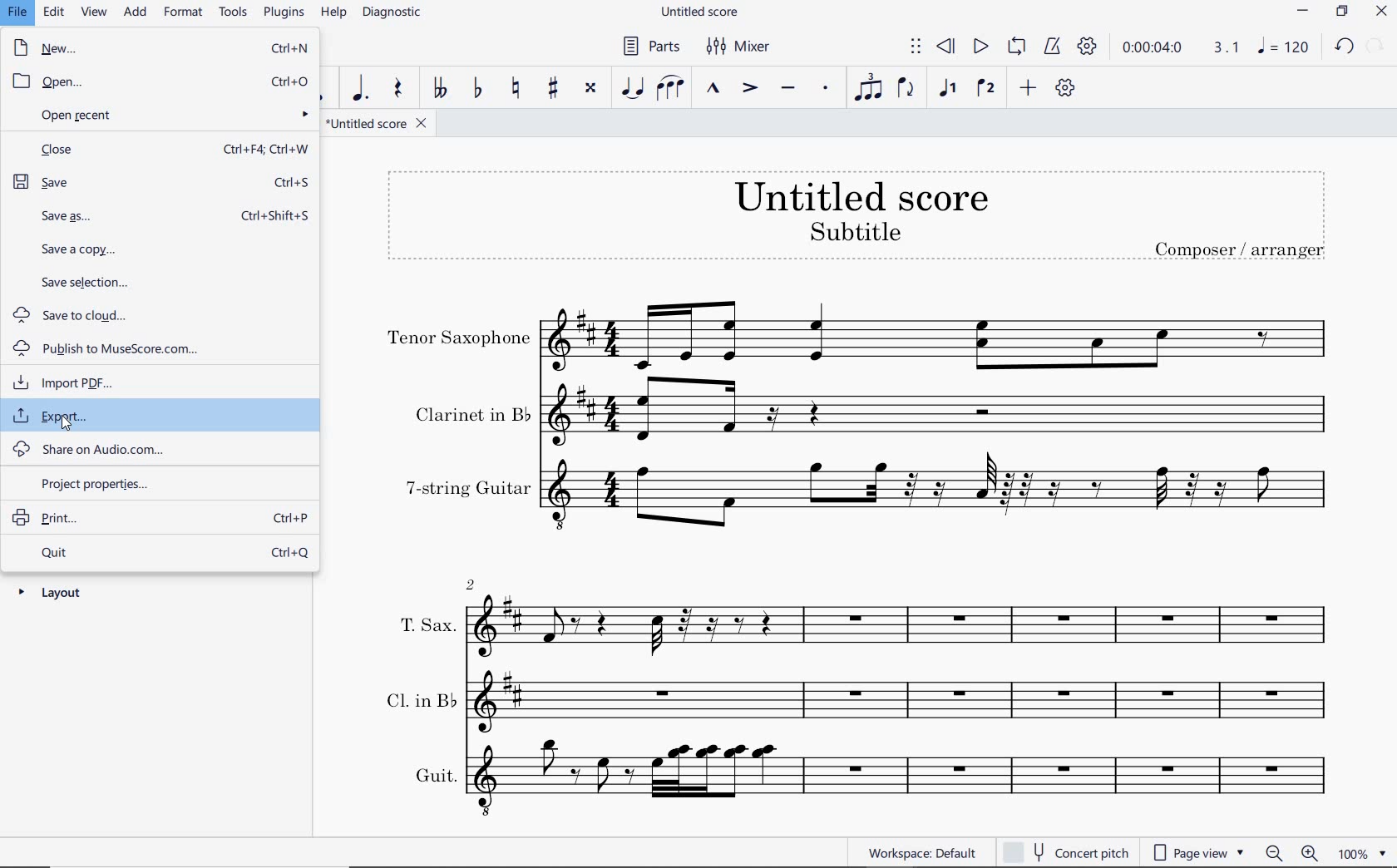 Image resolution: width=1397 pixels, height=868 pixels. What do you see at coordinates (1345, 47) in the screenshot?
I see `UNDO` at bounding box center [1345, 47].